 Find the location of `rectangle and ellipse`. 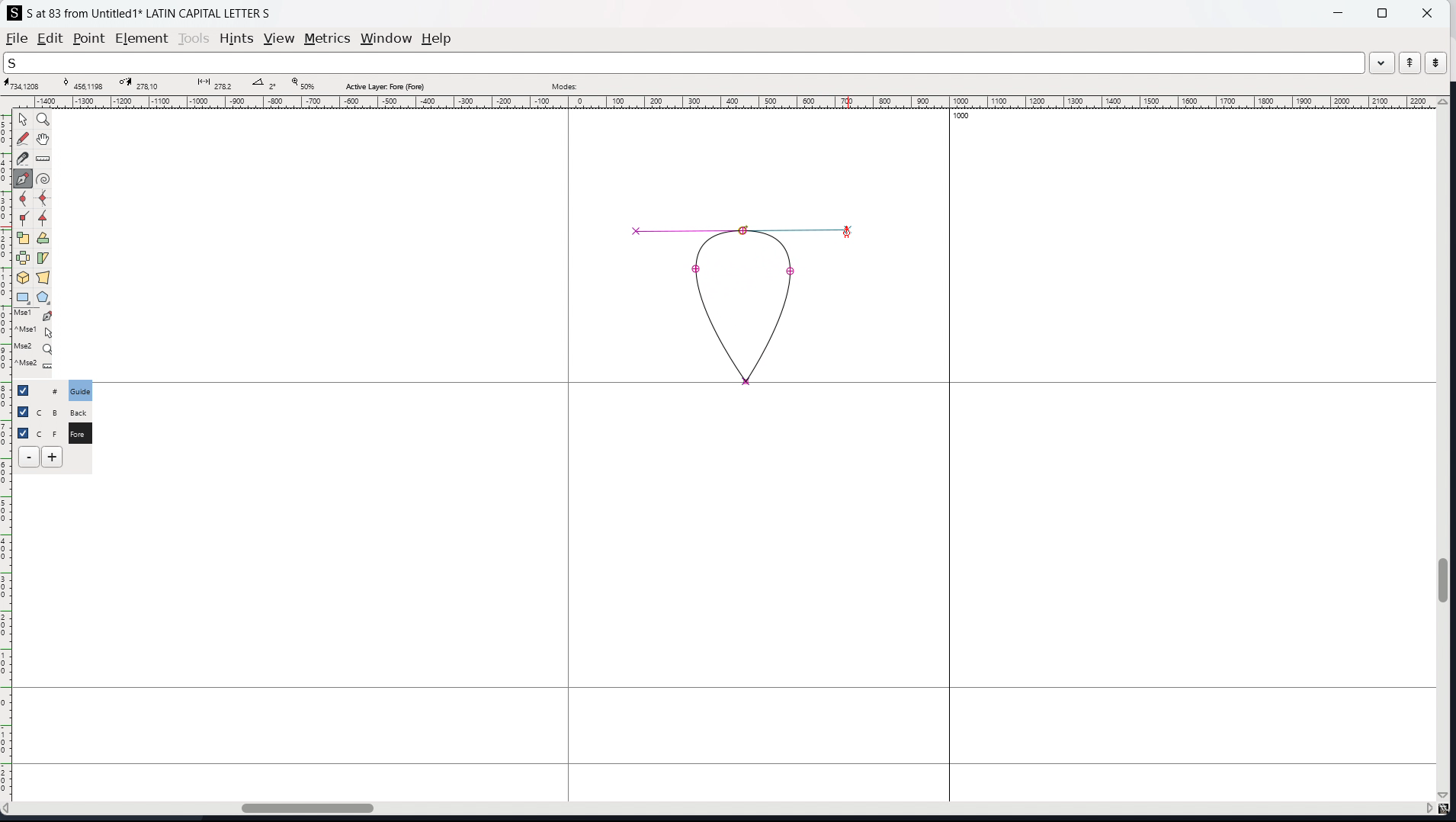

rectangle and ellipse is located at coordinates (24, 298).